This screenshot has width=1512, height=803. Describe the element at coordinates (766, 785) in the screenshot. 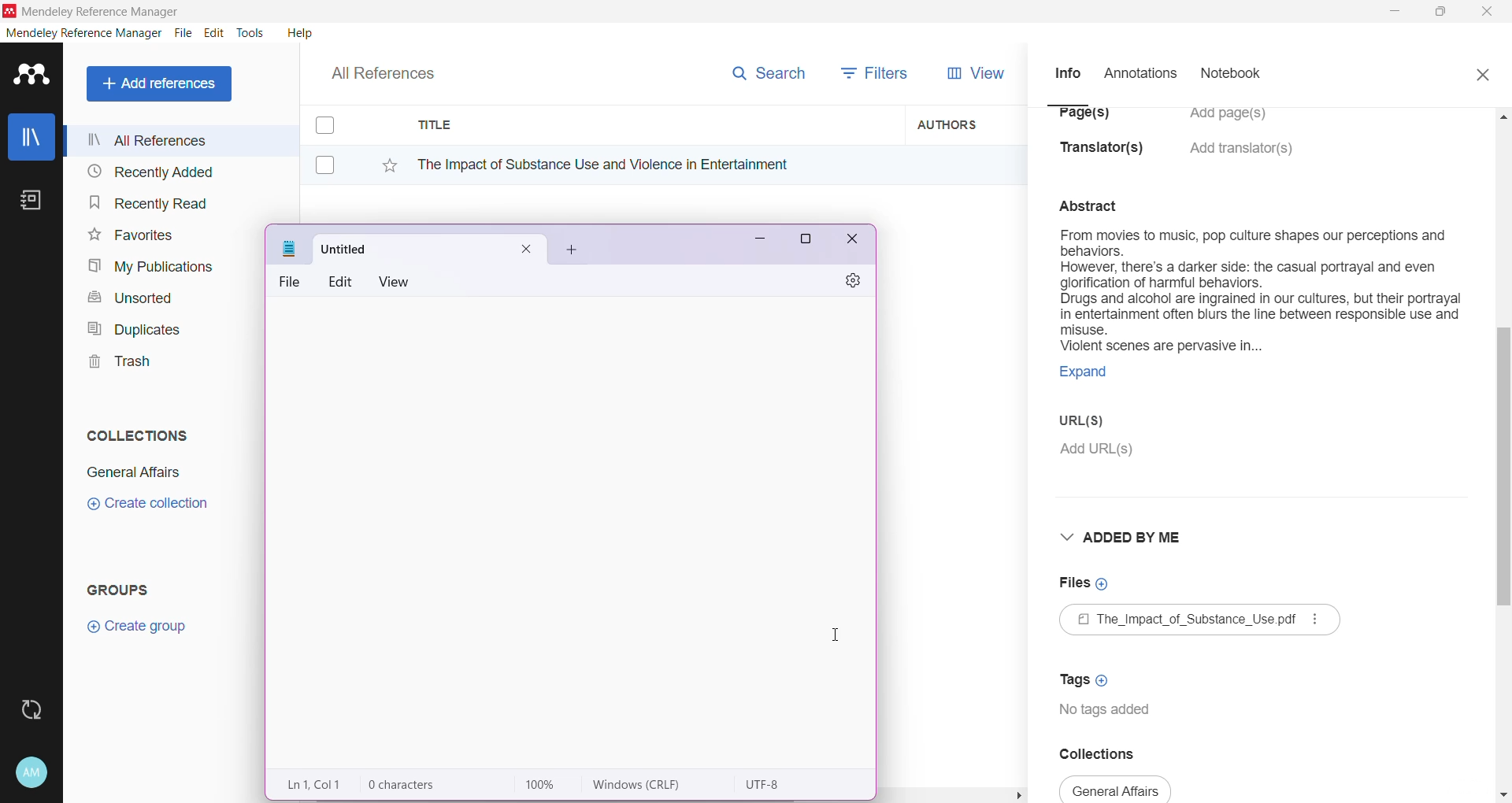

I see `Character encoding used` at that location.